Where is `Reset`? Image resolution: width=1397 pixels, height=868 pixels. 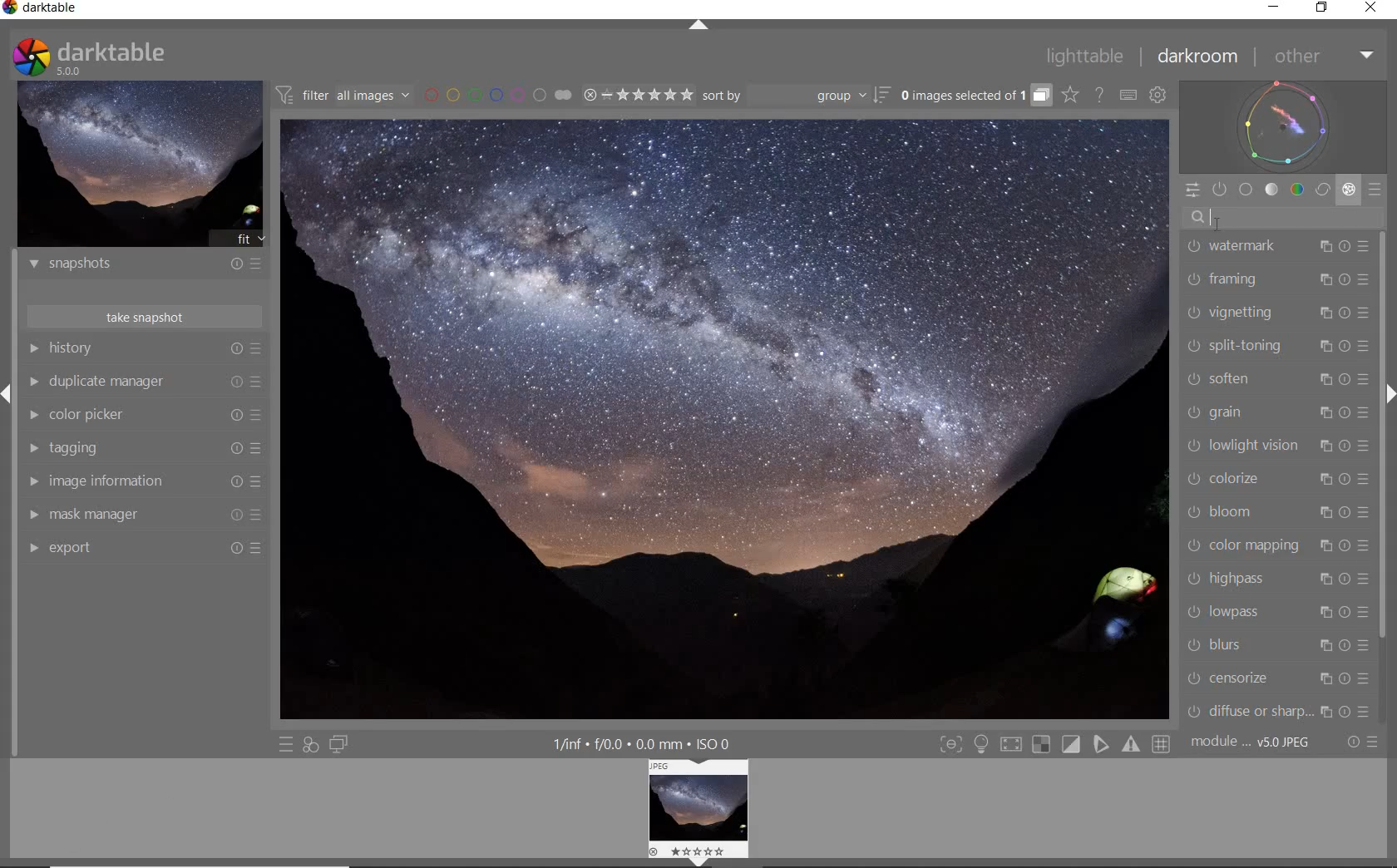 Reset is located at coordinates (234, 448).